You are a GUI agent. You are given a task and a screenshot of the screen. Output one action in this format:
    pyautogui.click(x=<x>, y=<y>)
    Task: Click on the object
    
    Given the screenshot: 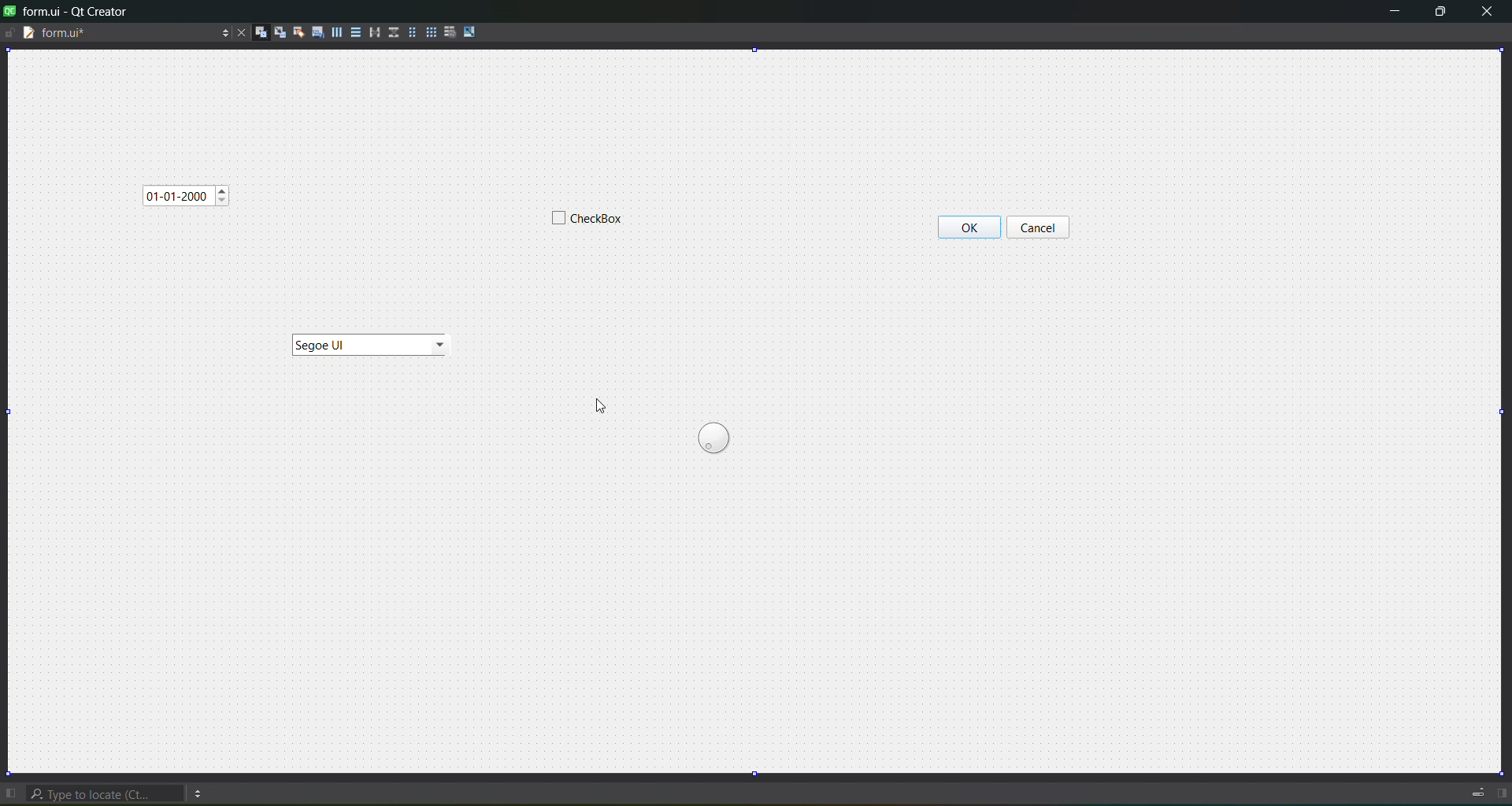 What is the action you would take?
    pyautogui.click(x=188, y=195)
    